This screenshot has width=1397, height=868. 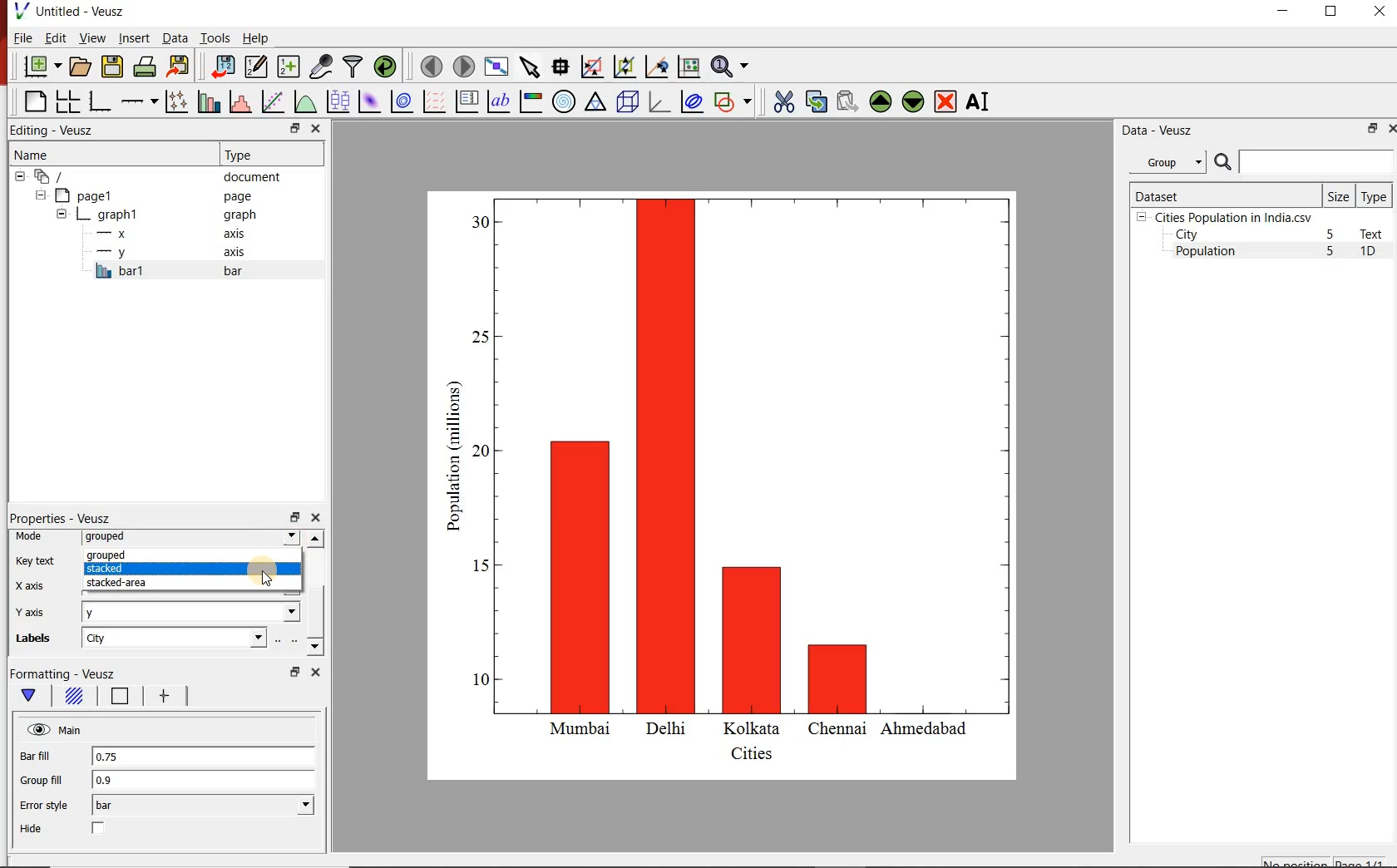 What do you see at coordinates (1339, 195) in the screenshot?
I see `Size` at bounding box center [1339, 195].